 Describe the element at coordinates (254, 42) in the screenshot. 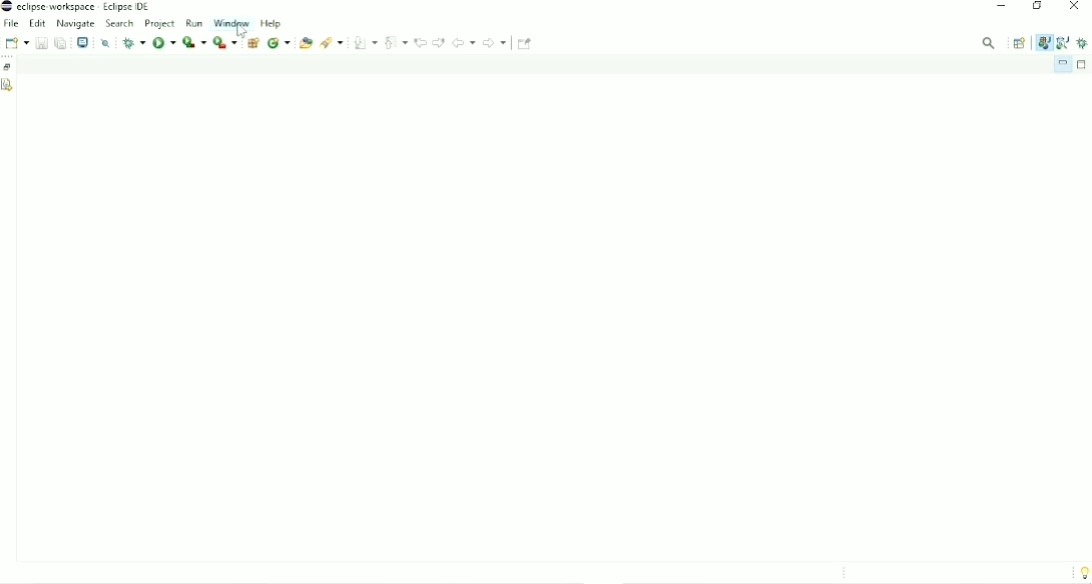

I see `New java project` at that location.